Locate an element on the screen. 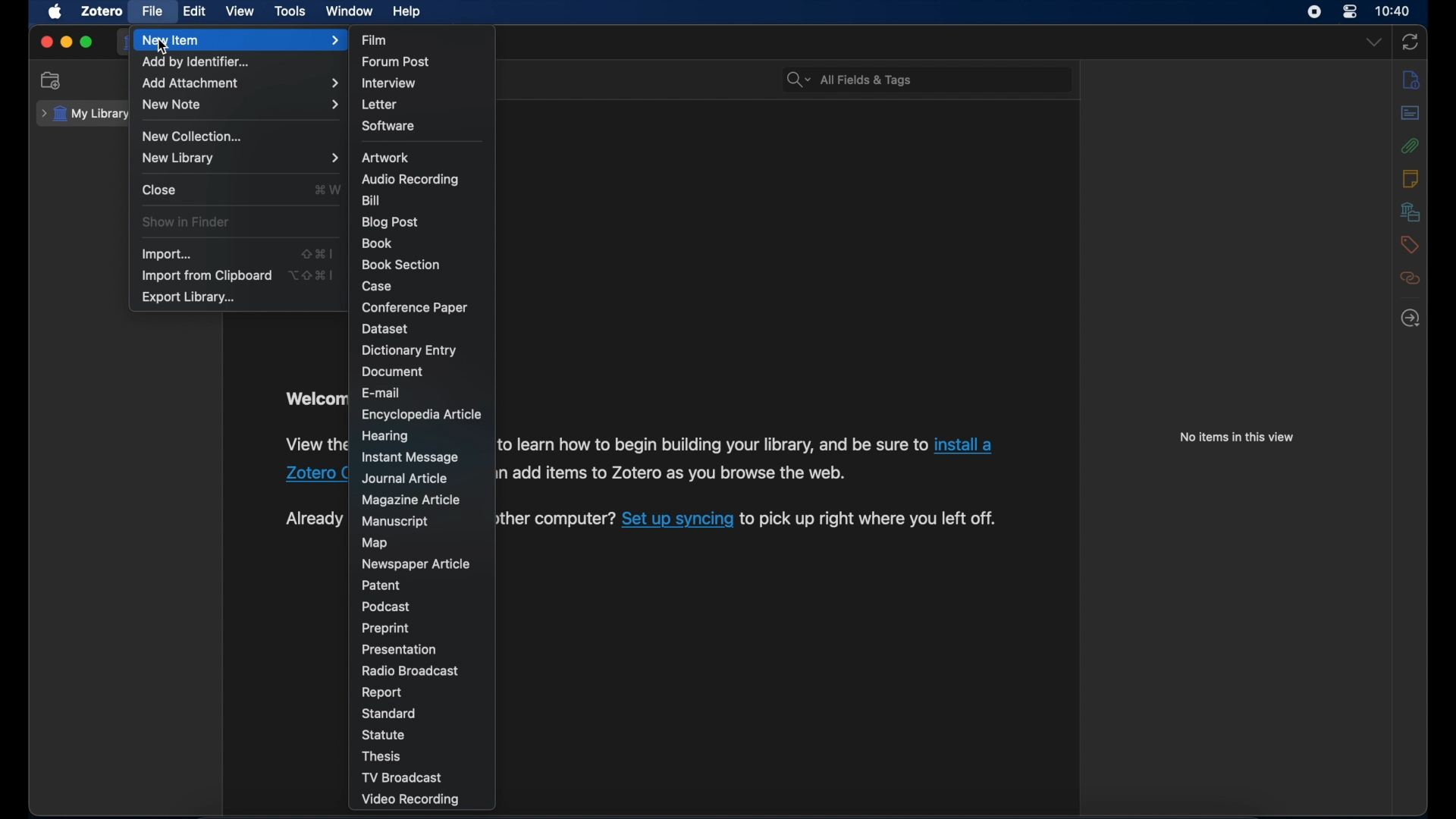  document is located at coordinates (395, 372).